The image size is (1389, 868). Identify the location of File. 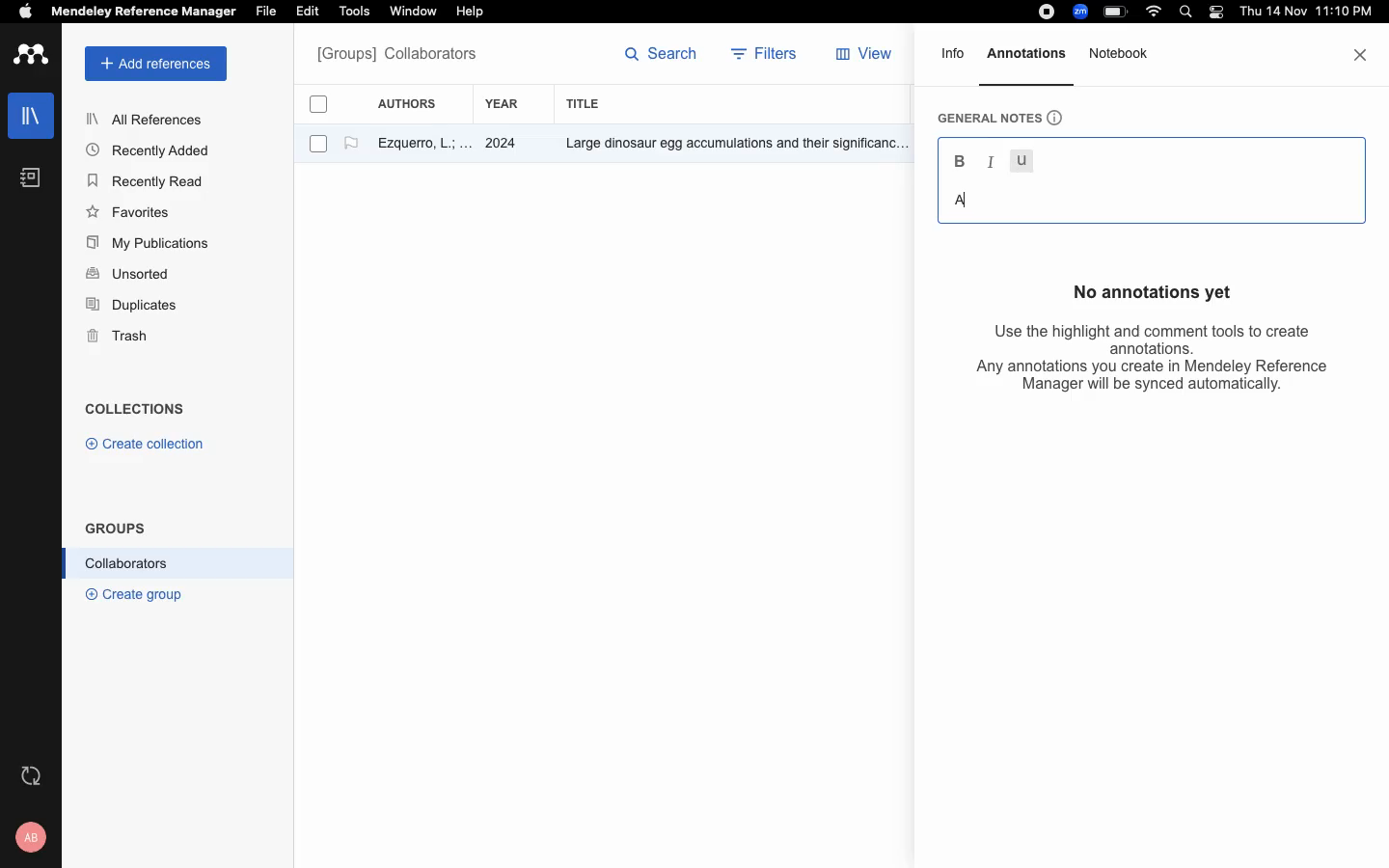
(265, 10).